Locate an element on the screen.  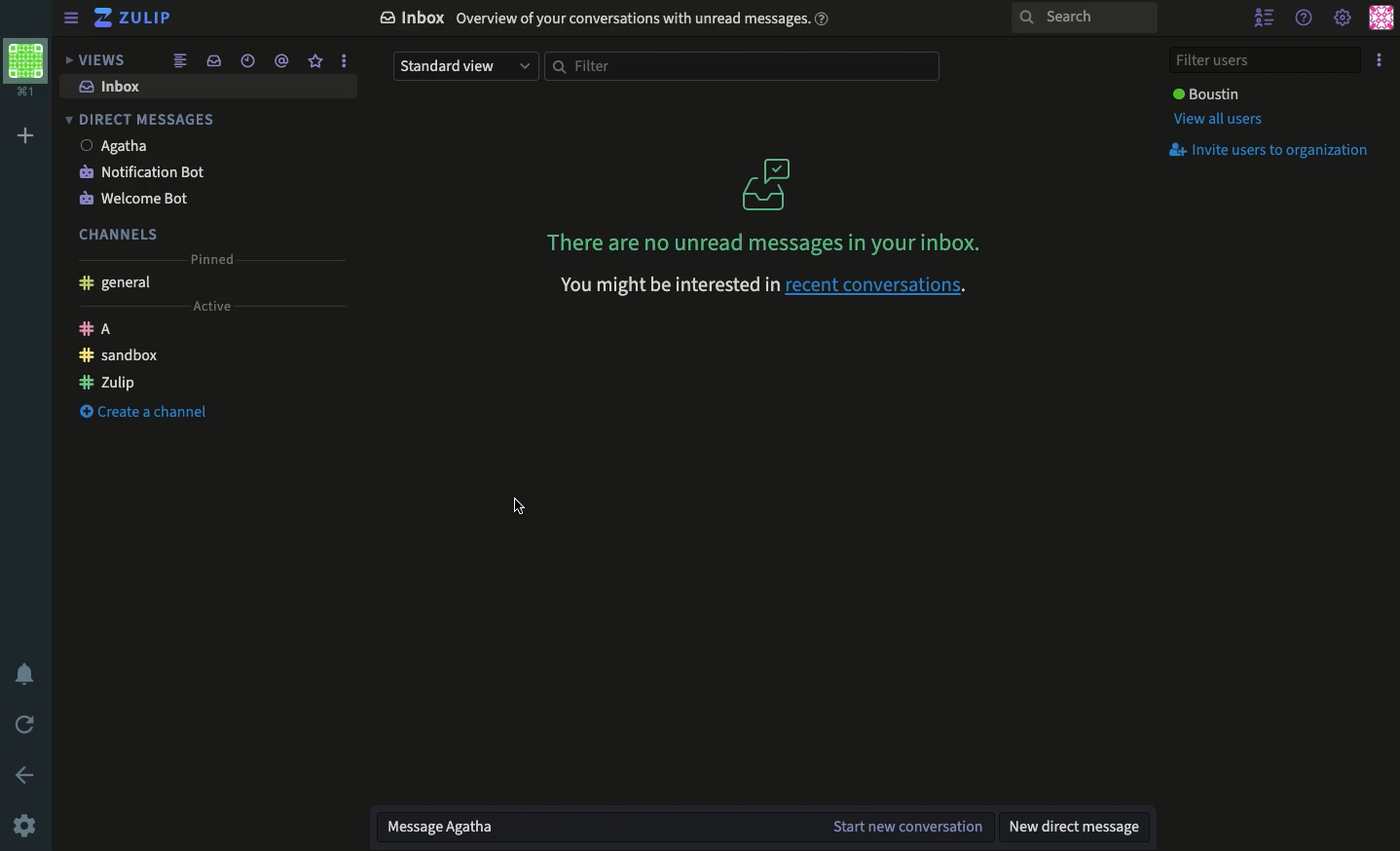
more is located at coordinates (350, 59).